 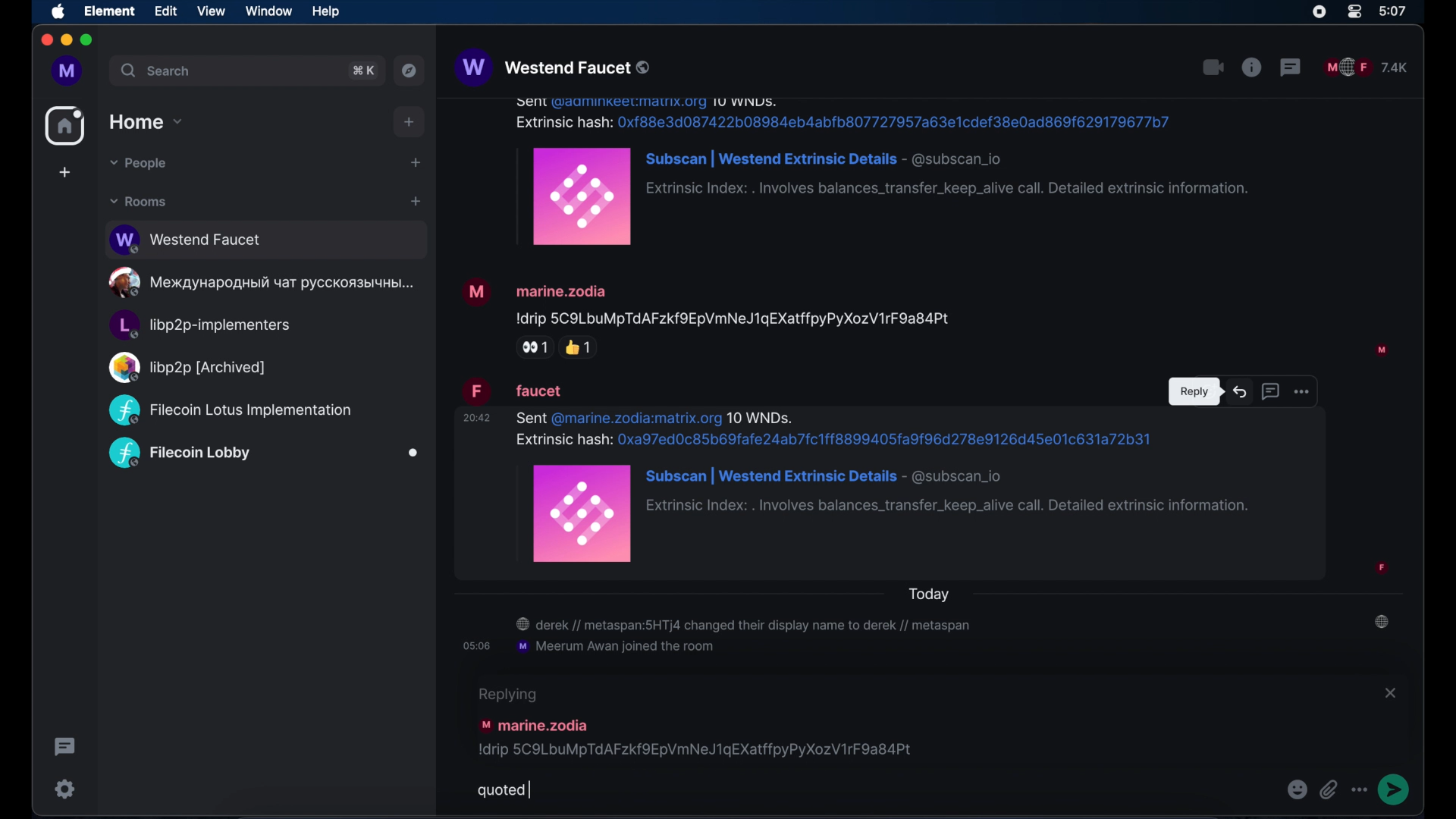 I want to click on close, so click(x=1392, y=694).